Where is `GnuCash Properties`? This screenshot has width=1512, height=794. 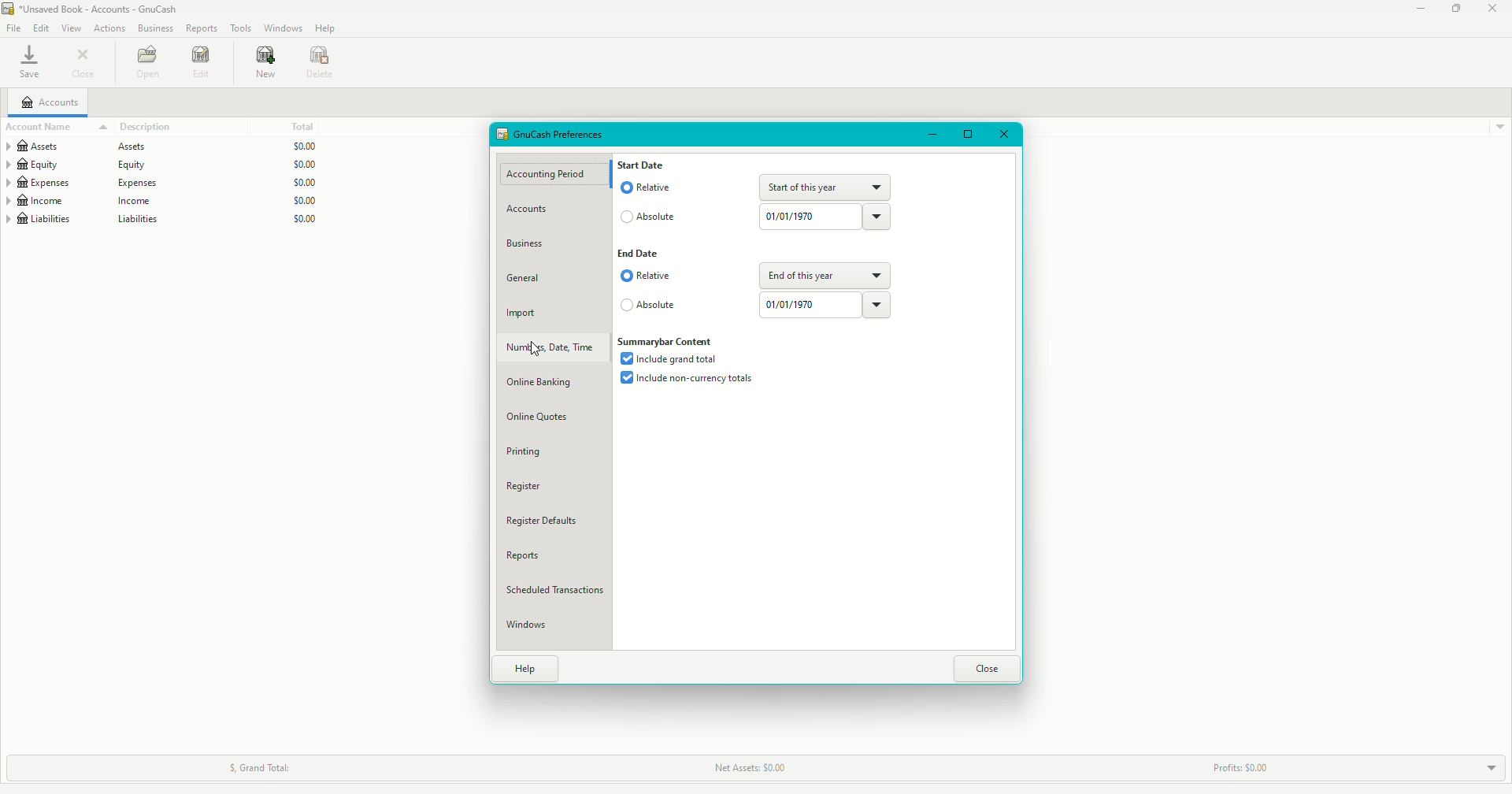 GnuCash Properties is located at coordinates (559, 135).